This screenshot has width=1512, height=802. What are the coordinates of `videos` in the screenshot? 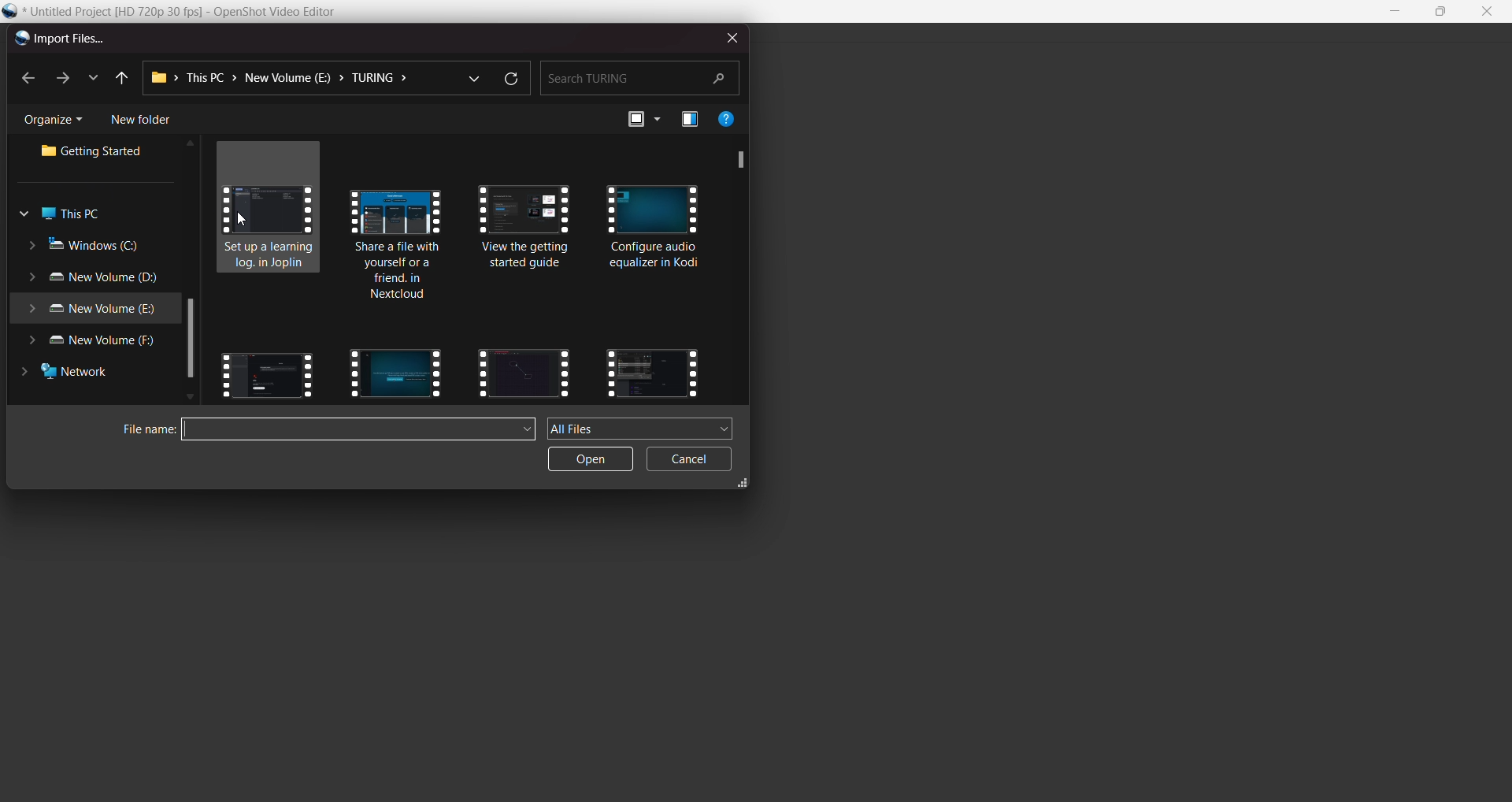 It's located at (529, 239).